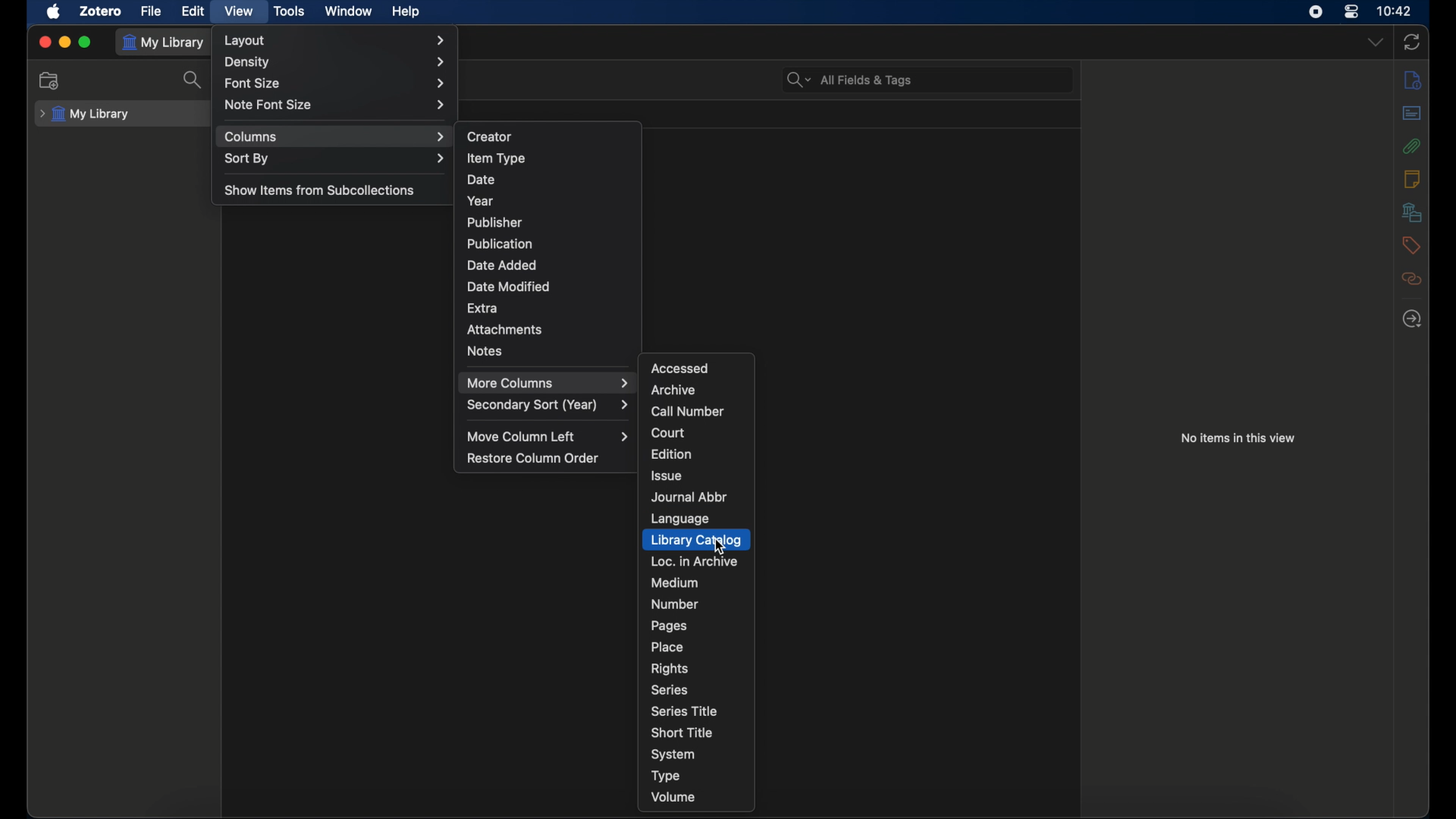 The width and height of the screenshot is (1456, 819). I want to click on attachments, so click(1412, 146).